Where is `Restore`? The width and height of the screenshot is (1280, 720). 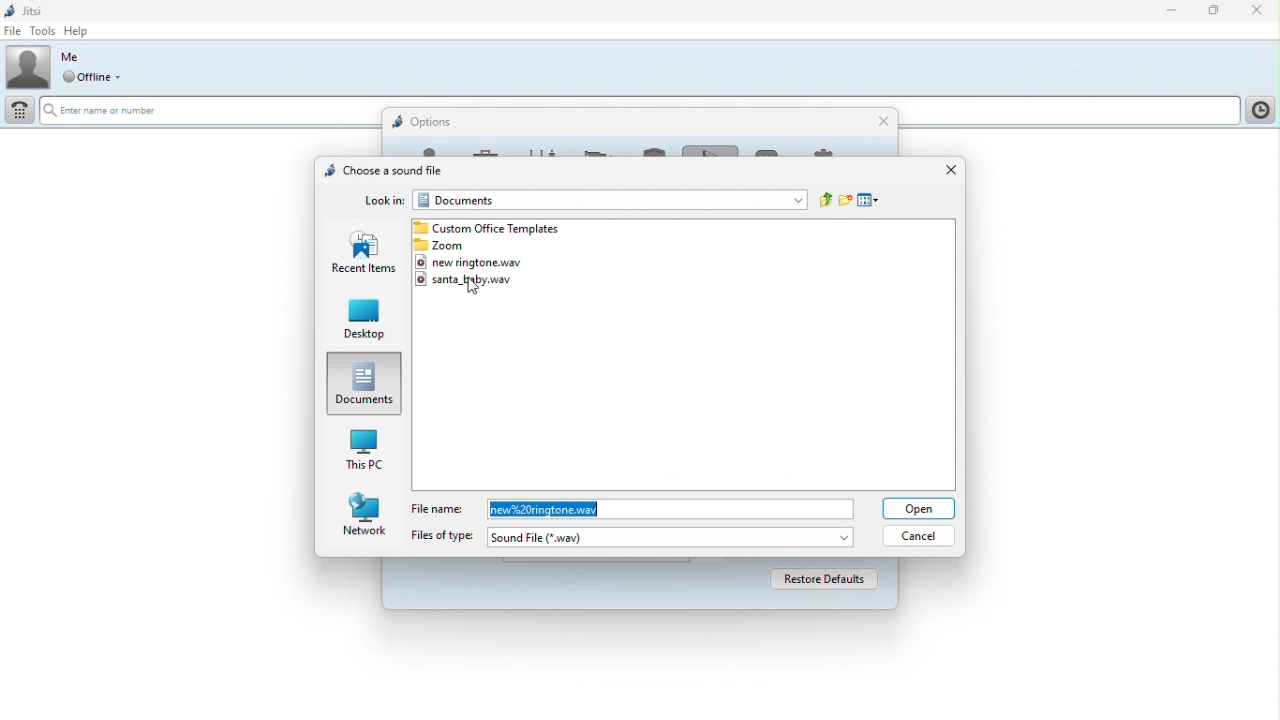 Restore is located at coordinates (1215, 12).